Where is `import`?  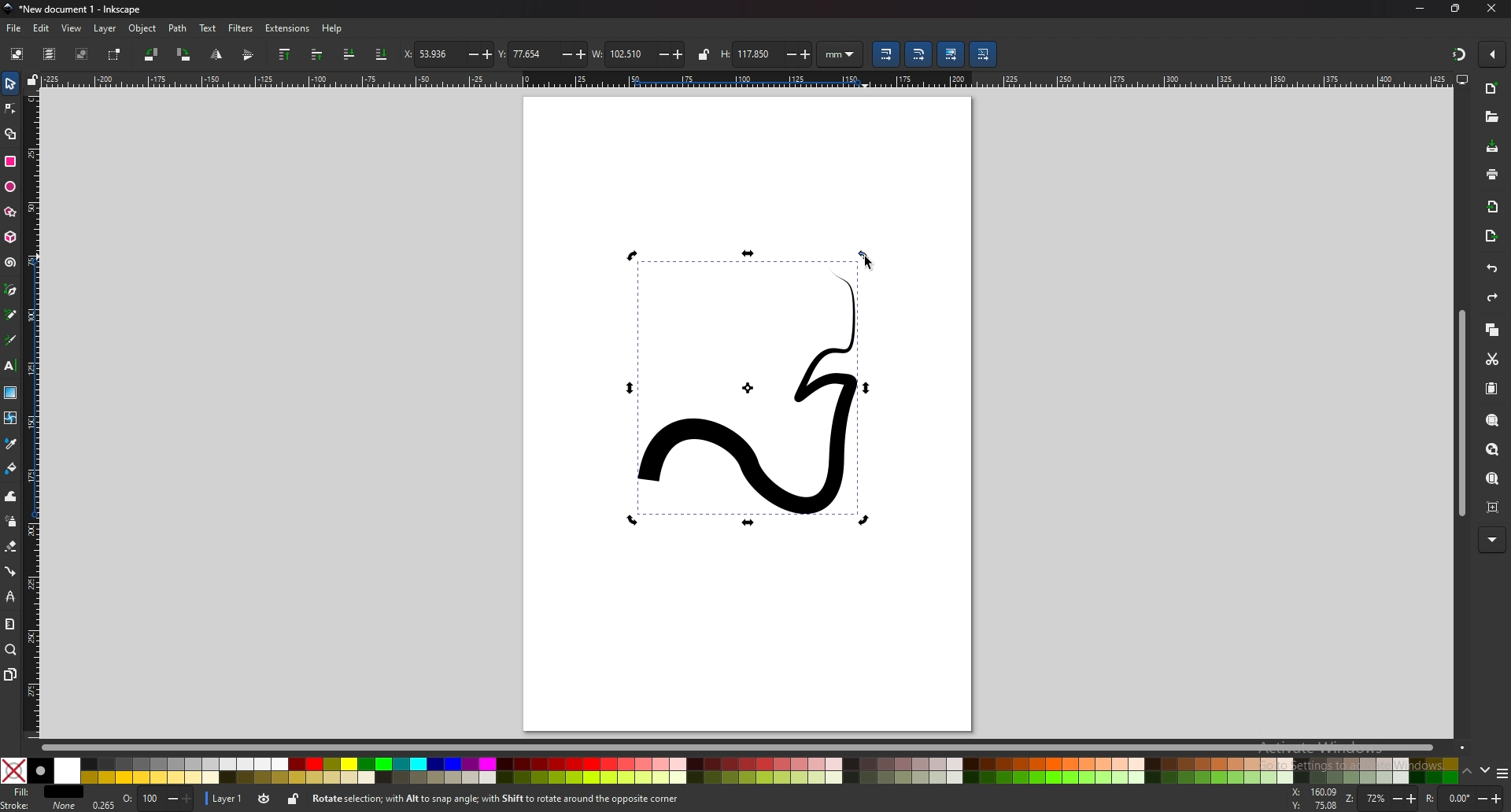
import is located at coordinates (1492, 208).